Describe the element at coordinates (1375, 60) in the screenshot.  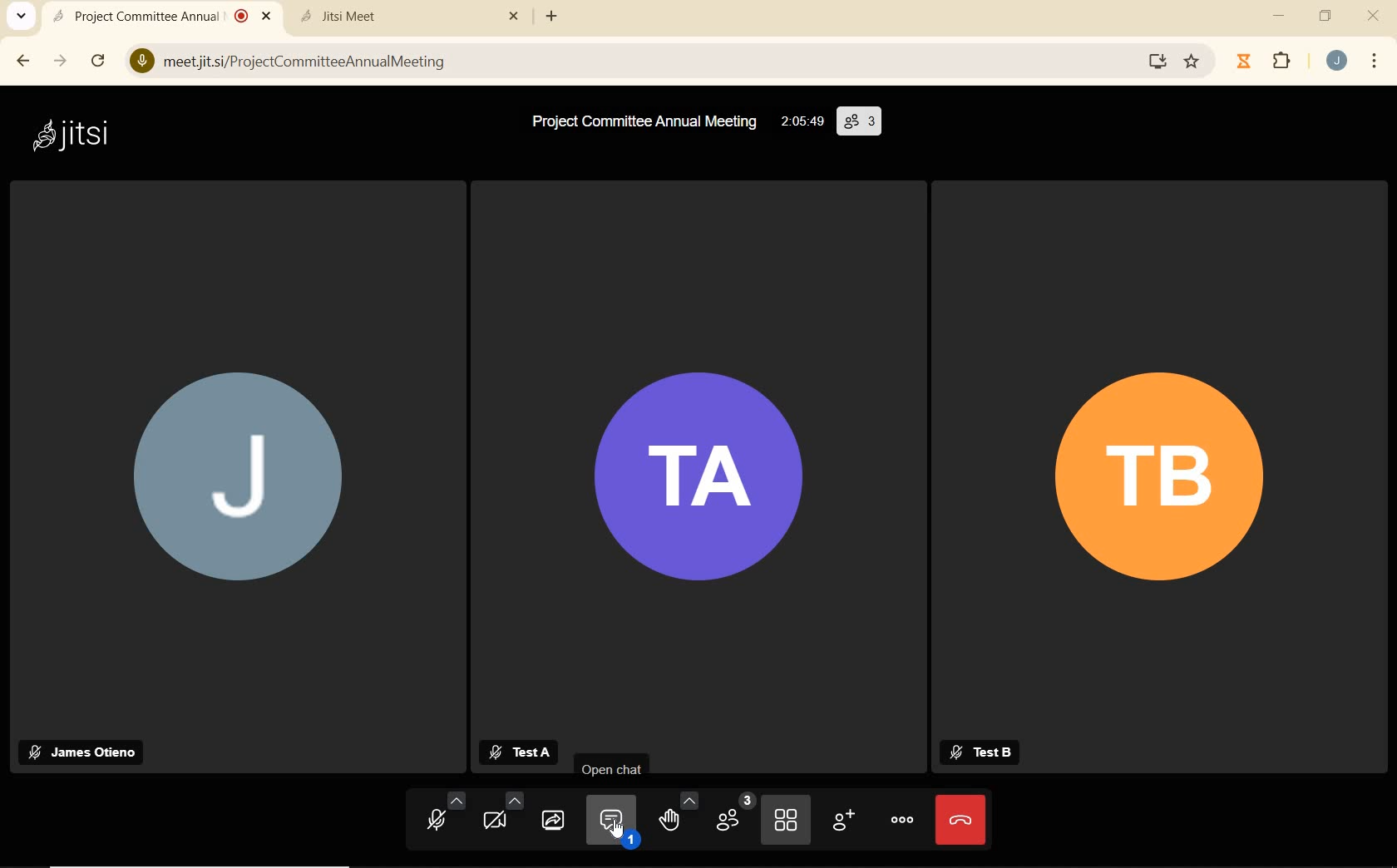
I see `customize google chrome` at that location.